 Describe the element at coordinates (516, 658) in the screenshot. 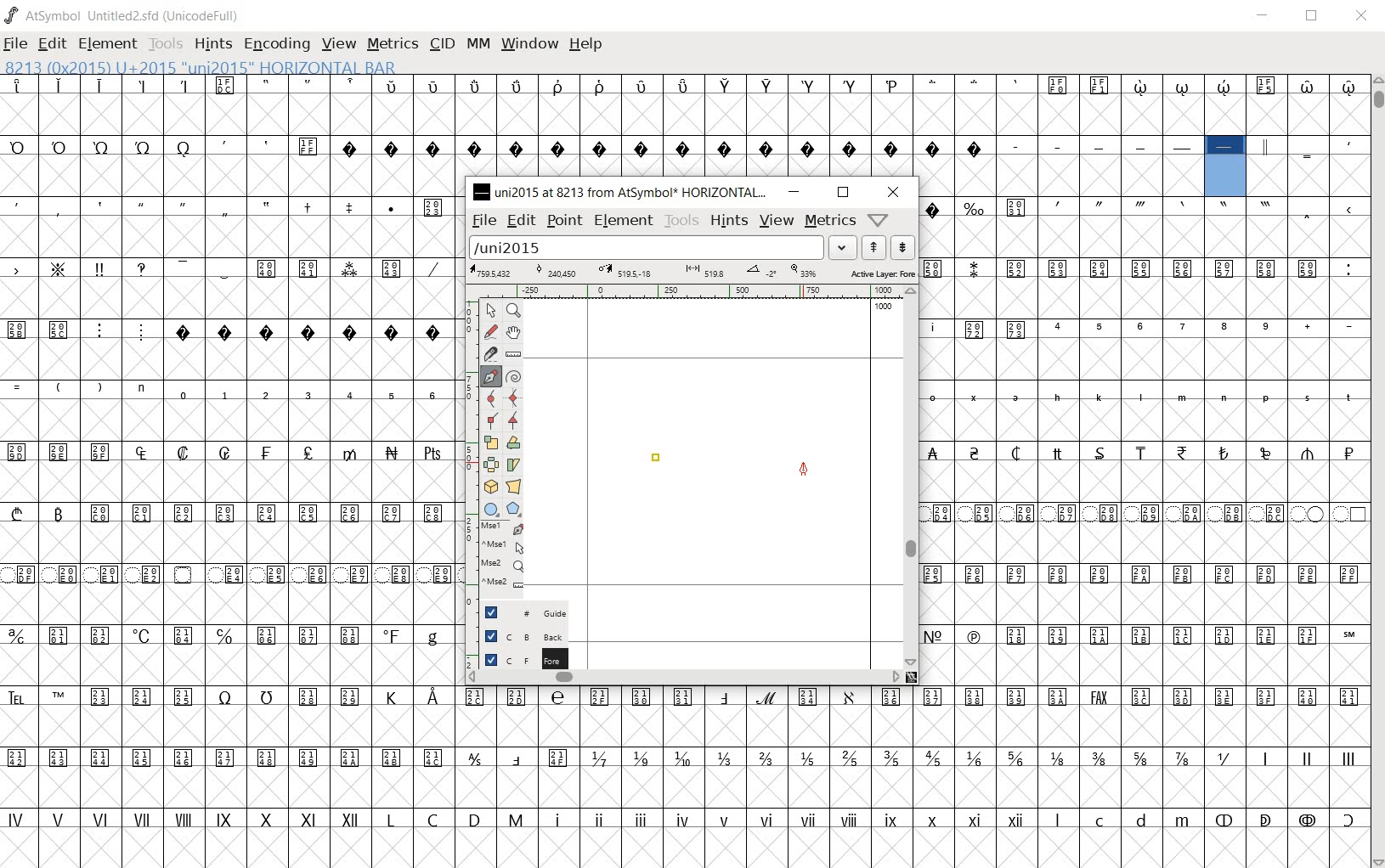

I see `Foreground` at that location.